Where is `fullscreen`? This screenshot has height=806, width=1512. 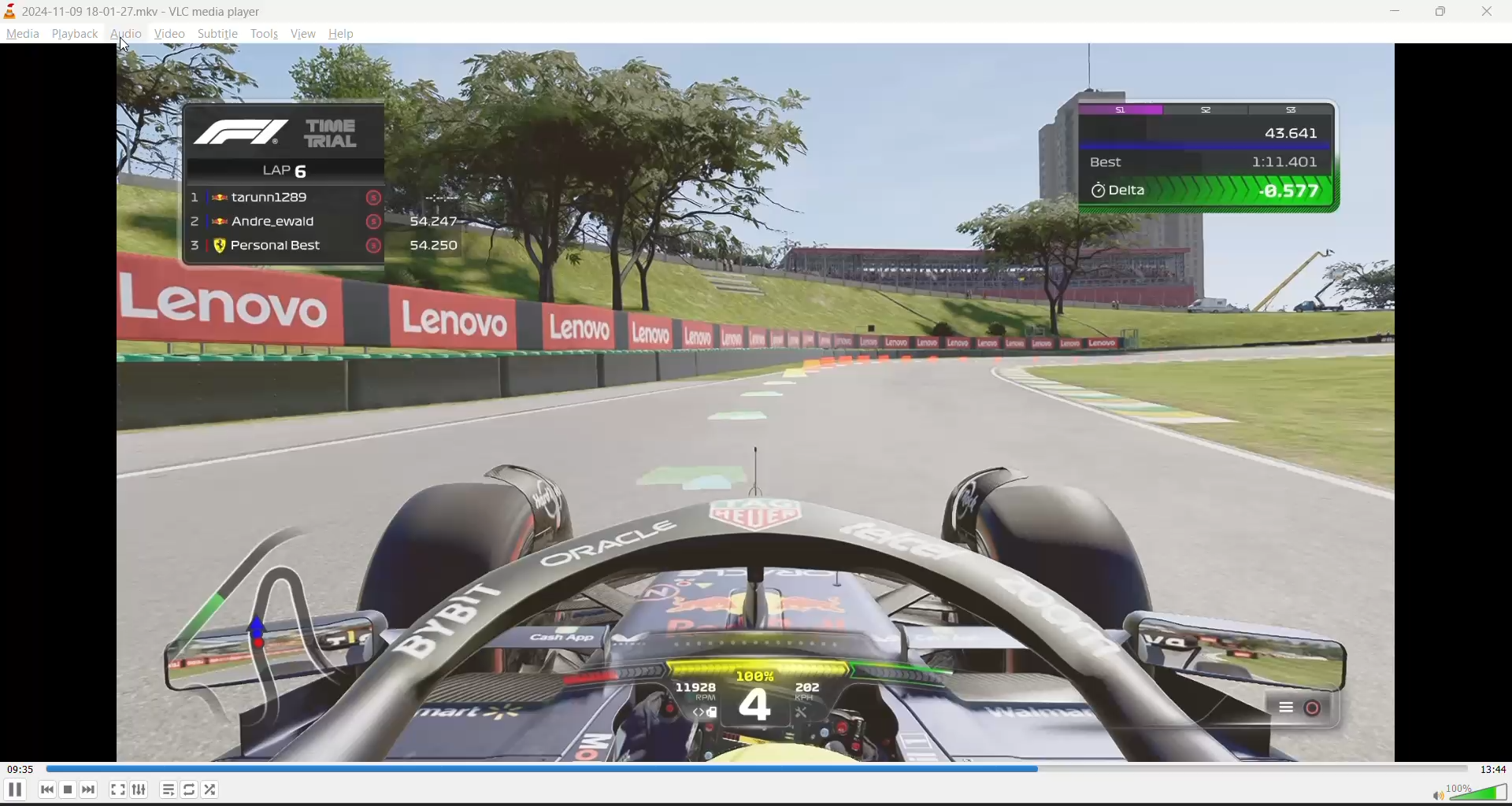
fullscreen is located at coordinates (117, 789).